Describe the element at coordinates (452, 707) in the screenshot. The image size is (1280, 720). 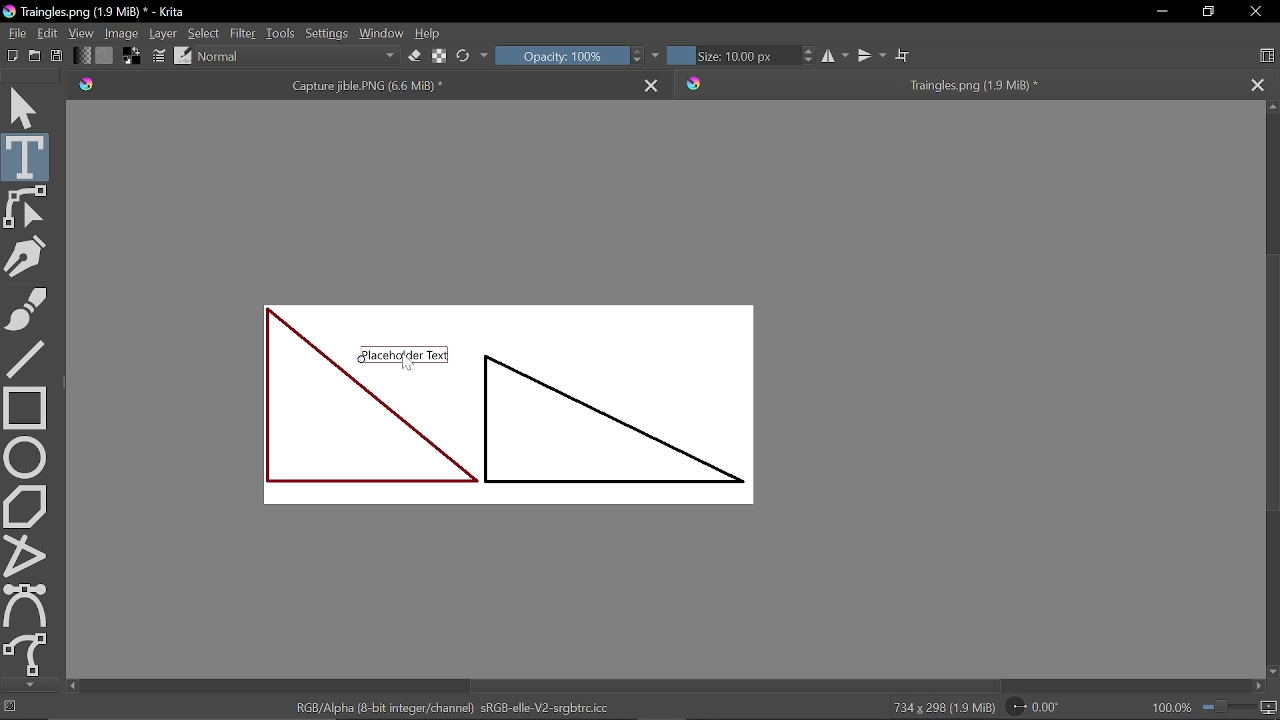
I see `RGB/Alpha (8-bit integer/channel) sRGB-elle-V2-srgbtrc.icc` at that location.